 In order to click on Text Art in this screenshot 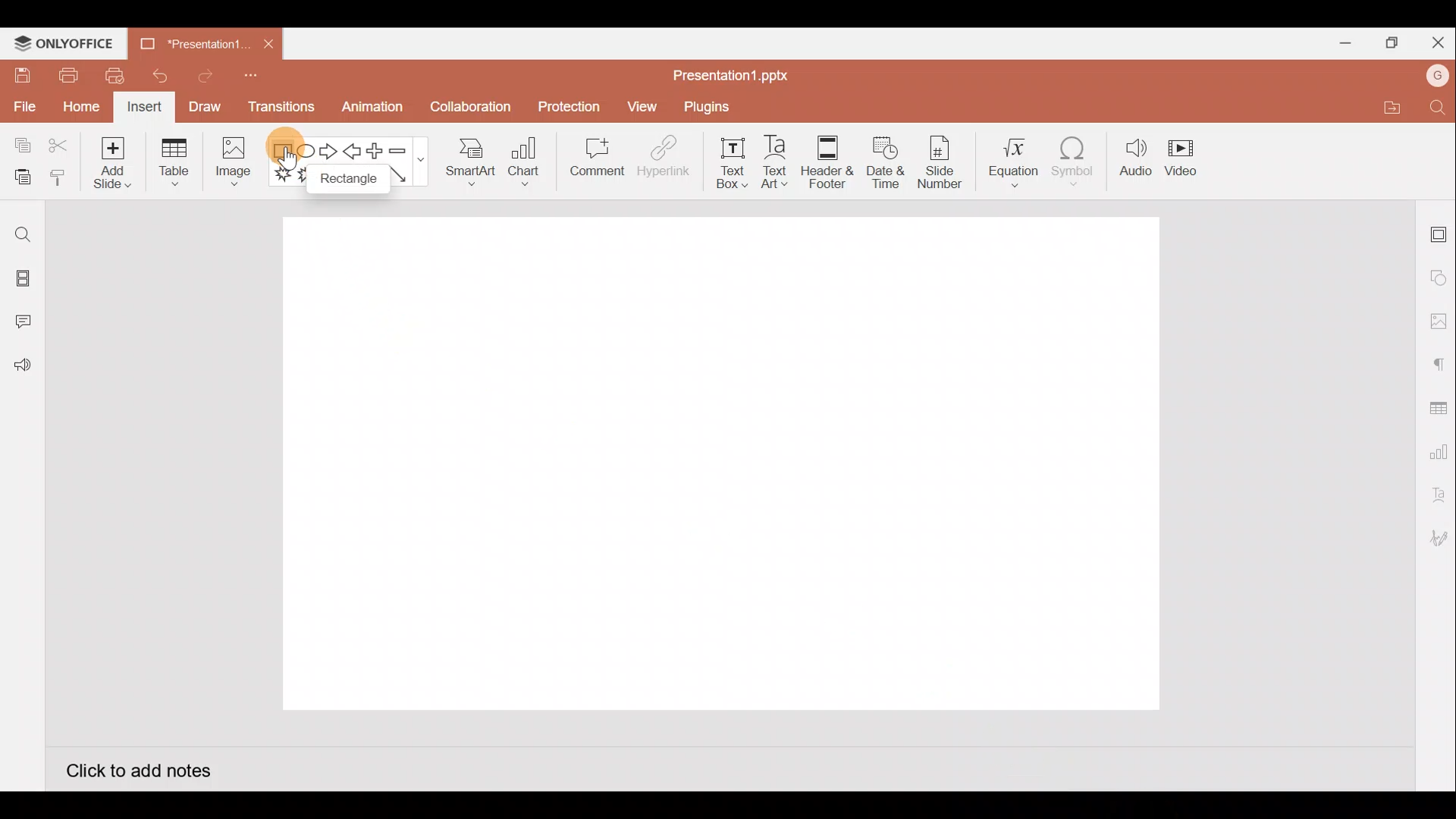, I will do `click(781, 158)`.